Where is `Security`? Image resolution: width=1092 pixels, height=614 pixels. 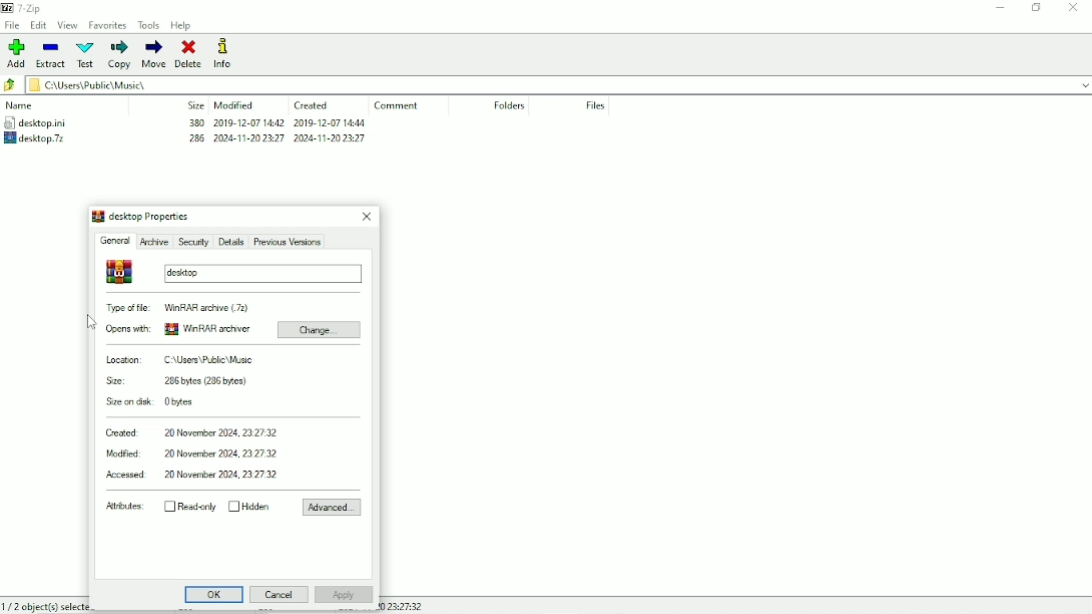 Security is located at coordinates (192, 242).